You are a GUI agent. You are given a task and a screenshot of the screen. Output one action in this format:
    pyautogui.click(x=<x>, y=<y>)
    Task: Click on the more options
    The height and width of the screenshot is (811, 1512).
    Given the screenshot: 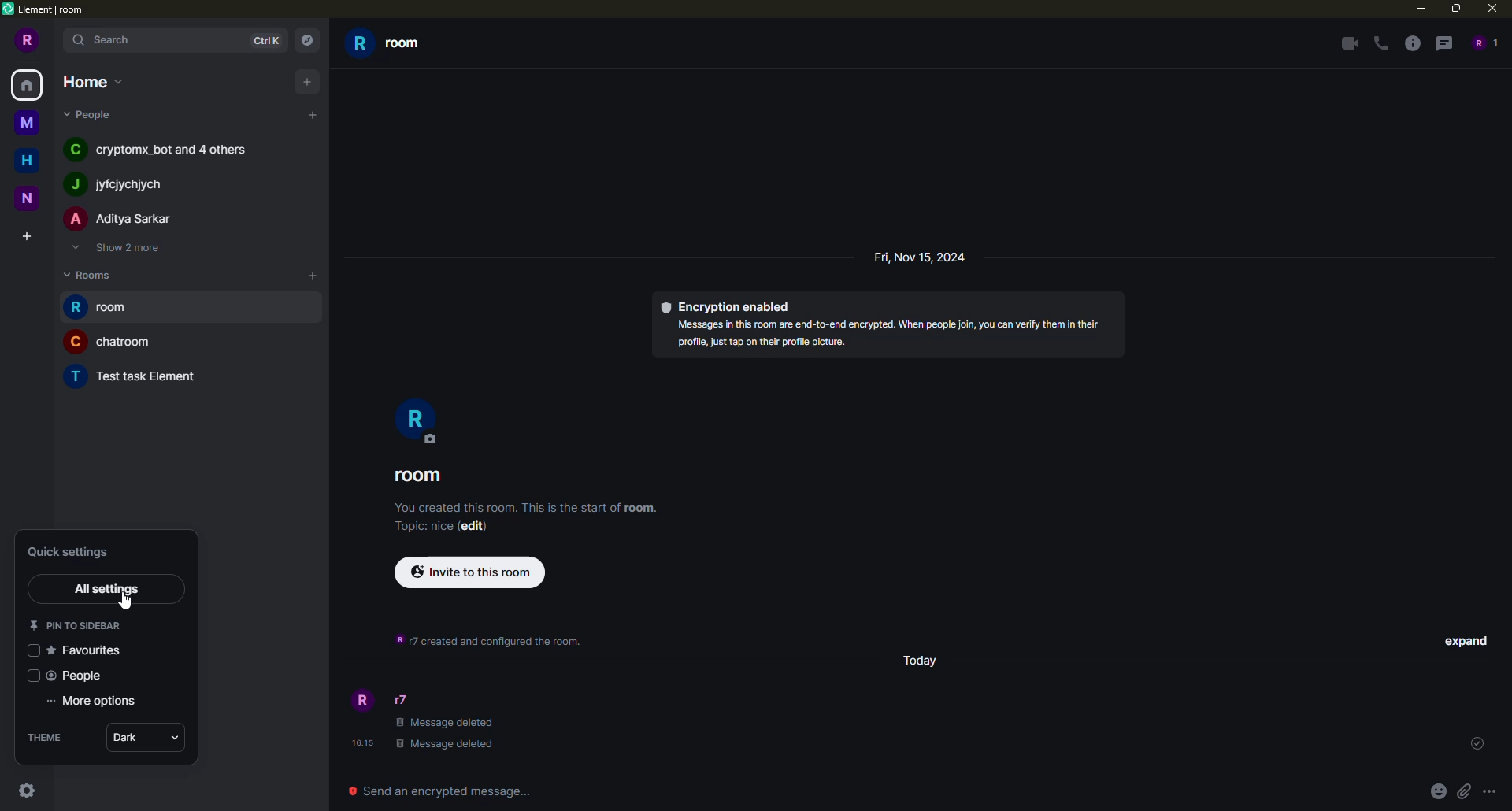 What is the action you would take?
    pyautogui.click(x=98, y=702)
    